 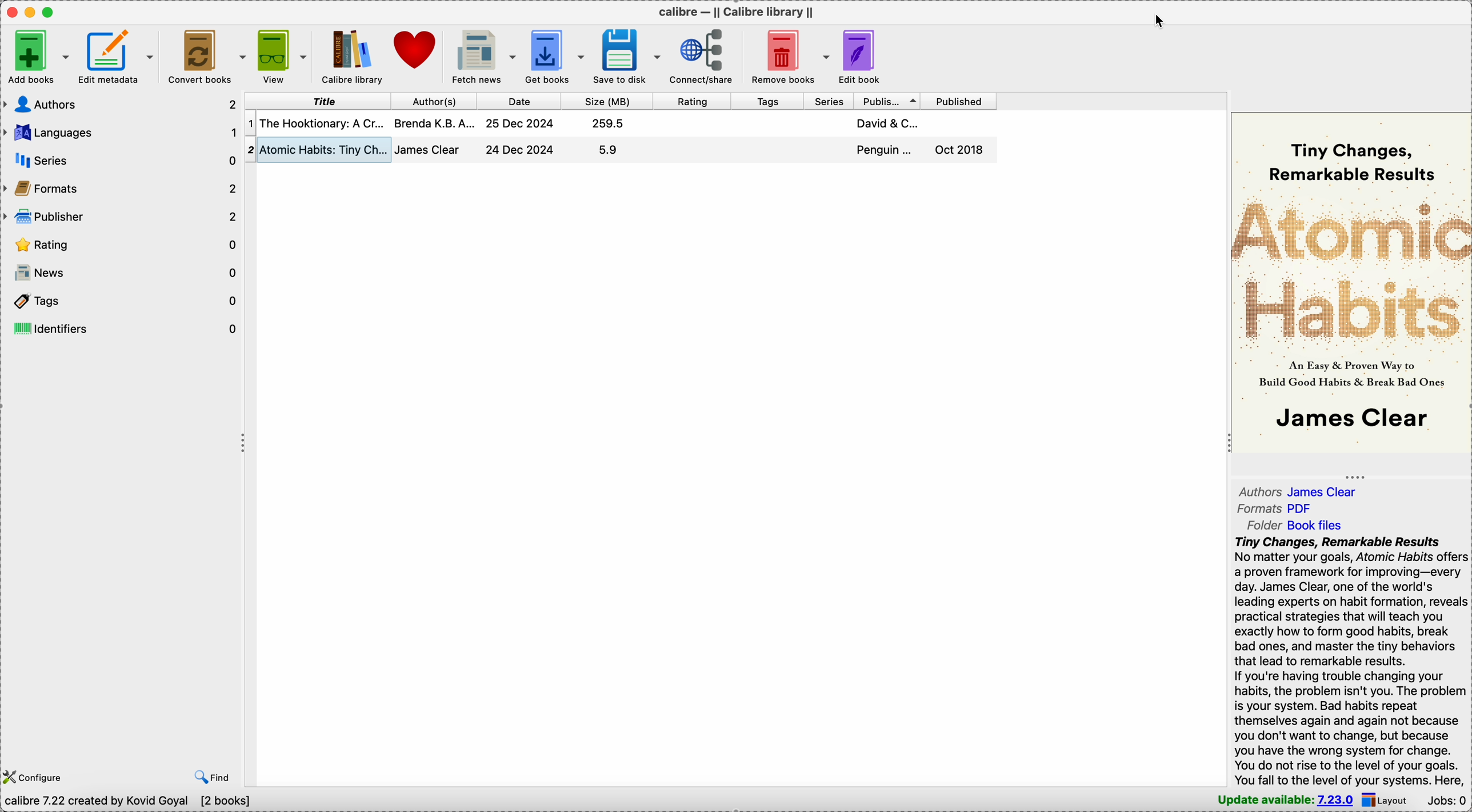 What do you see at coordinates (207, 57) in the screenshot?
I see `convert books` at bounding box center [207, 57].